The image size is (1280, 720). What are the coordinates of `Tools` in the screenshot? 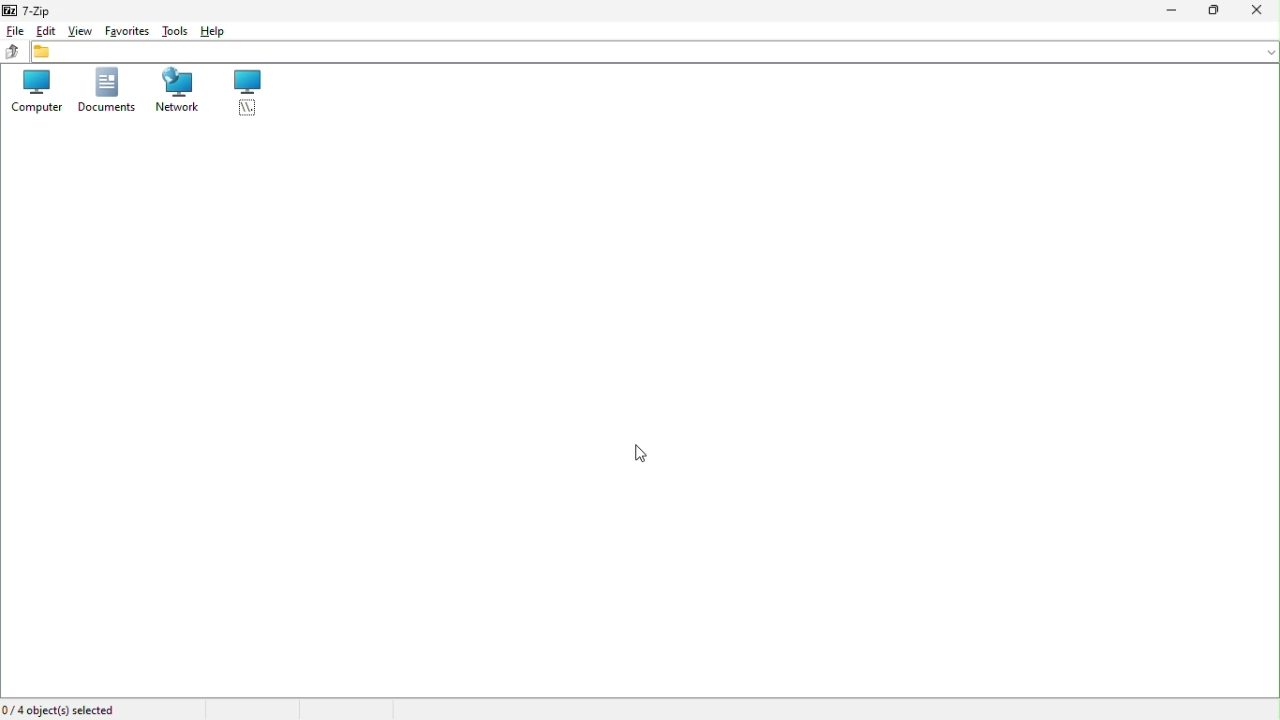 It's located at (174, 31).